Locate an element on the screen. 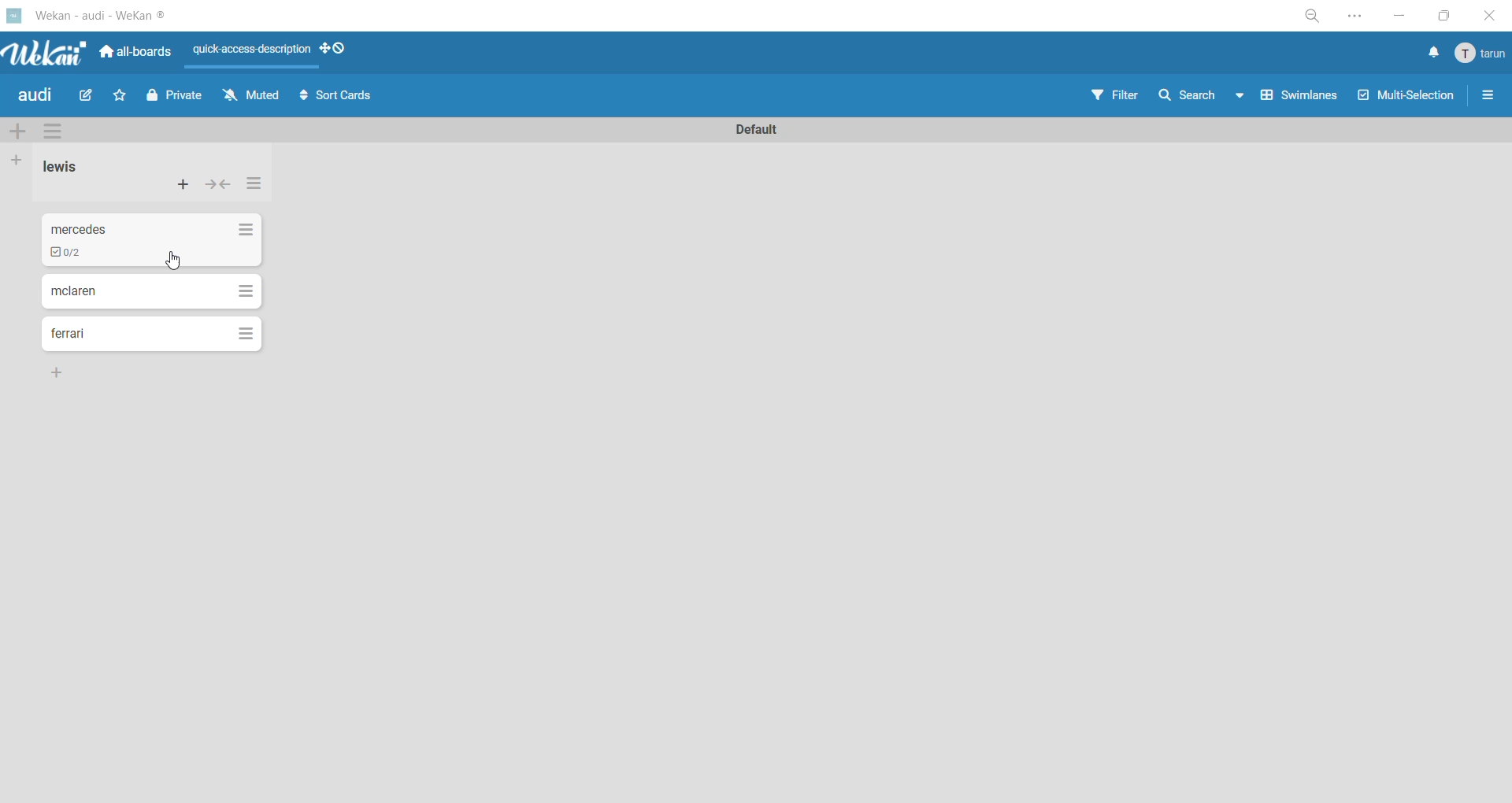  show desktop drag handles is located at coordinates (339, 50).